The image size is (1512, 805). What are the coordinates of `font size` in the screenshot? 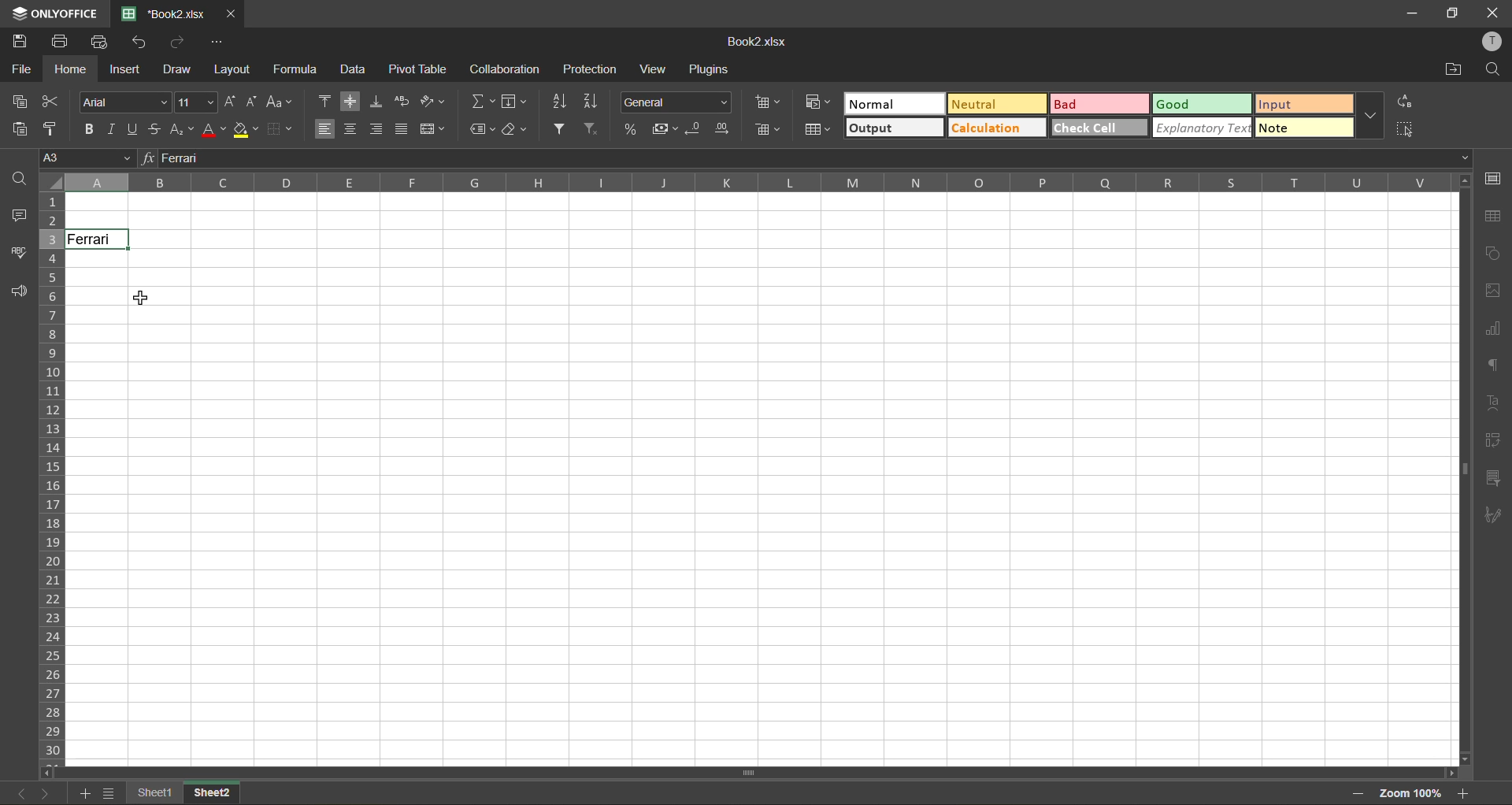 It's located at (198, 102).